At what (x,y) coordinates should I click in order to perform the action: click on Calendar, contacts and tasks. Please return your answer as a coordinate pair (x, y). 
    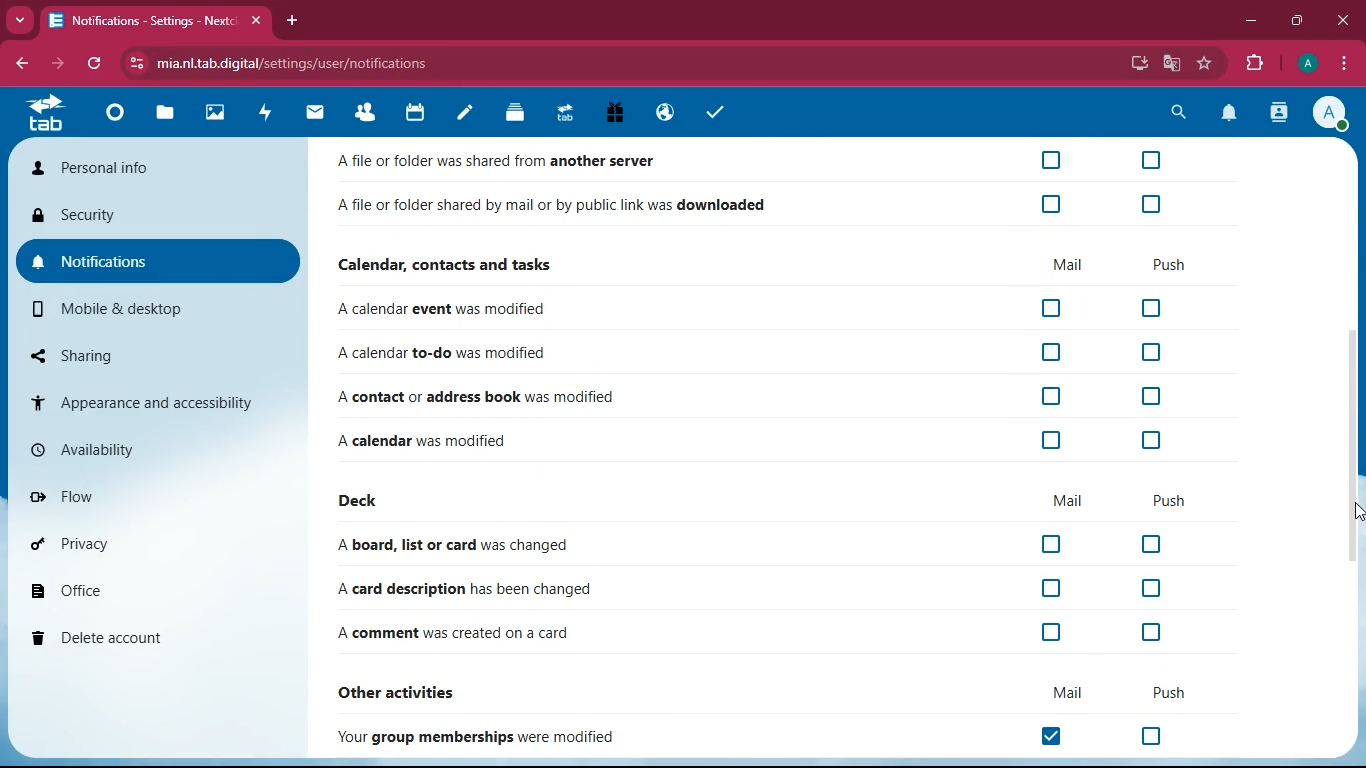
    Looking at the image, I should click on (449, 264).